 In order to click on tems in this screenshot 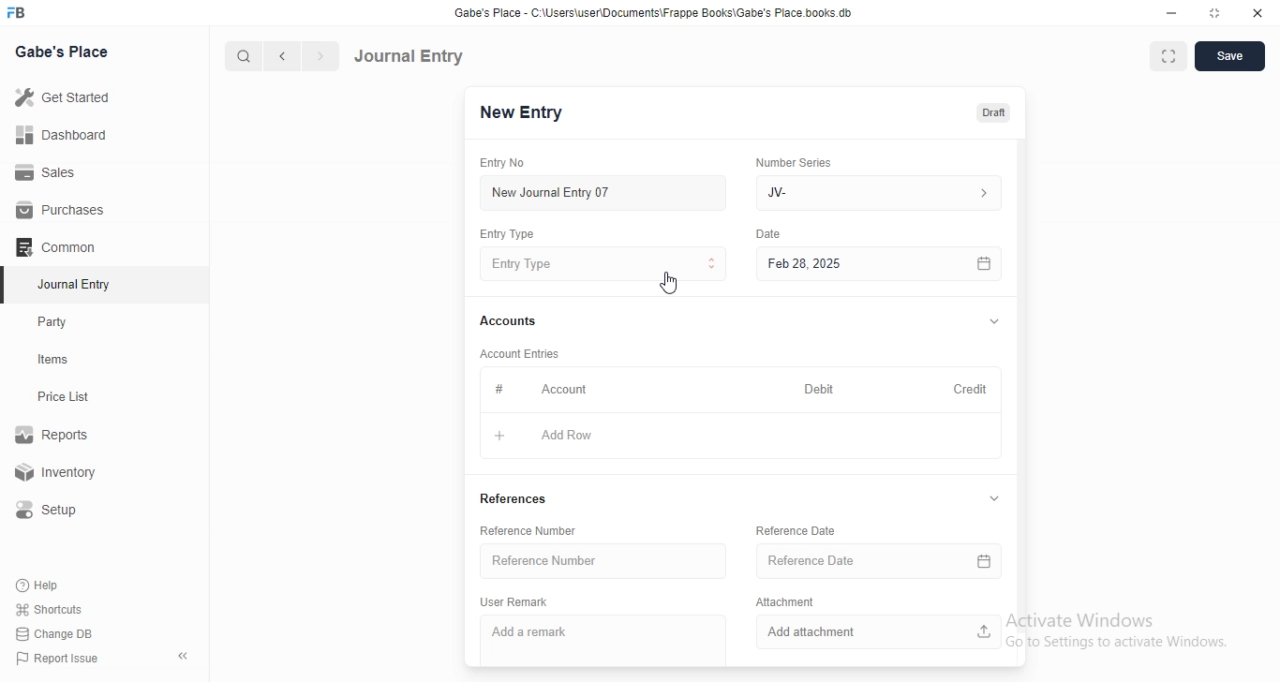, I will do `click(61, 360)`.